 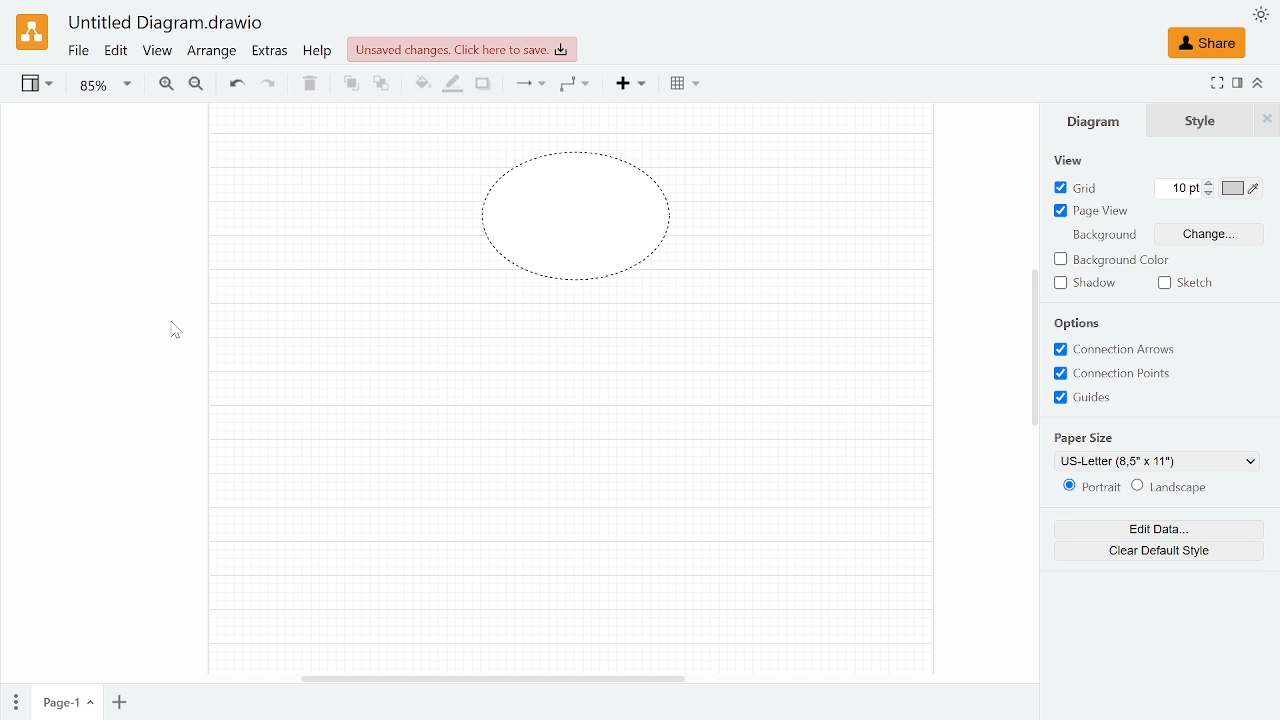 What do you see at coordinates (485, 83) in the screenshot?
I see `Shadow` at bounding box center [485, 83].